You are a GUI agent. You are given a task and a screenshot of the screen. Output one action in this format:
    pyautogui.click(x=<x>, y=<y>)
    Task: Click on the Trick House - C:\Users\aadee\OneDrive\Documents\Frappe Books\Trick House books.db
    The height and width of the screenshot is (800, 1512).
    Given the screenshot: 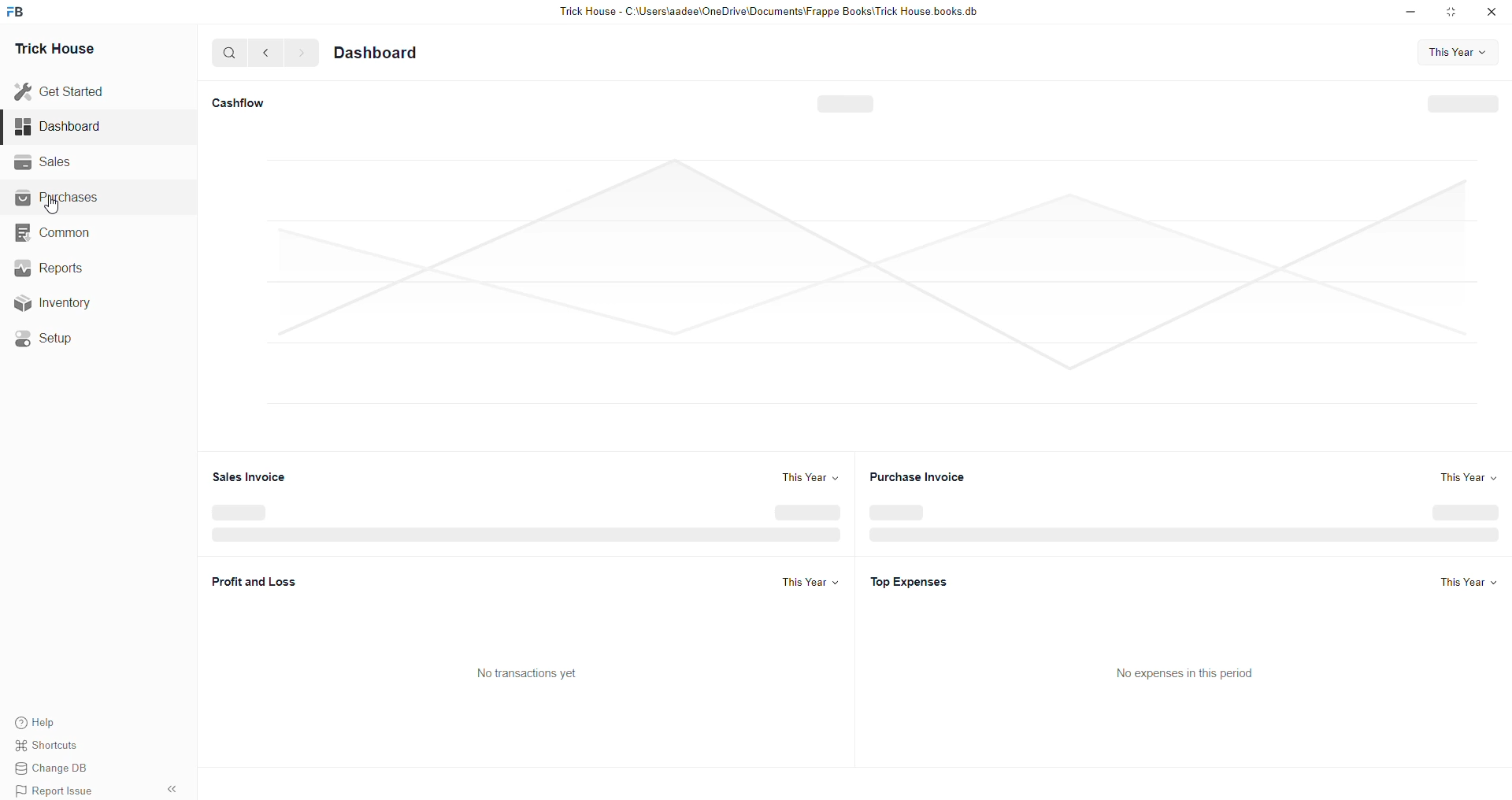 What is the action you would take?
    pyautogui.click(x=772, y=12)
    